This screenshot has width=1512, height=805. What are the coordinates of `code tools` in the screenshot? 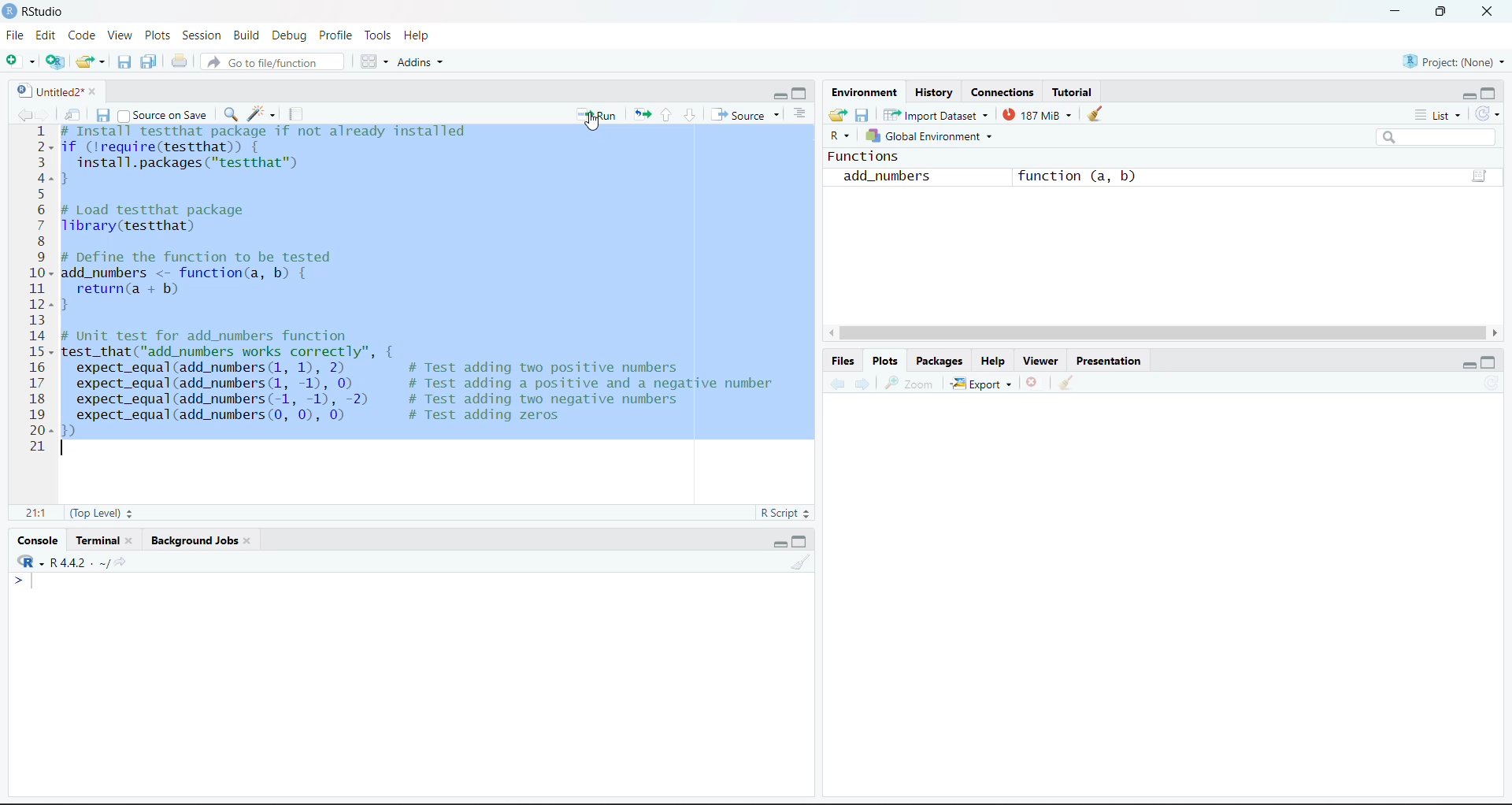 It's located at (260, 115).